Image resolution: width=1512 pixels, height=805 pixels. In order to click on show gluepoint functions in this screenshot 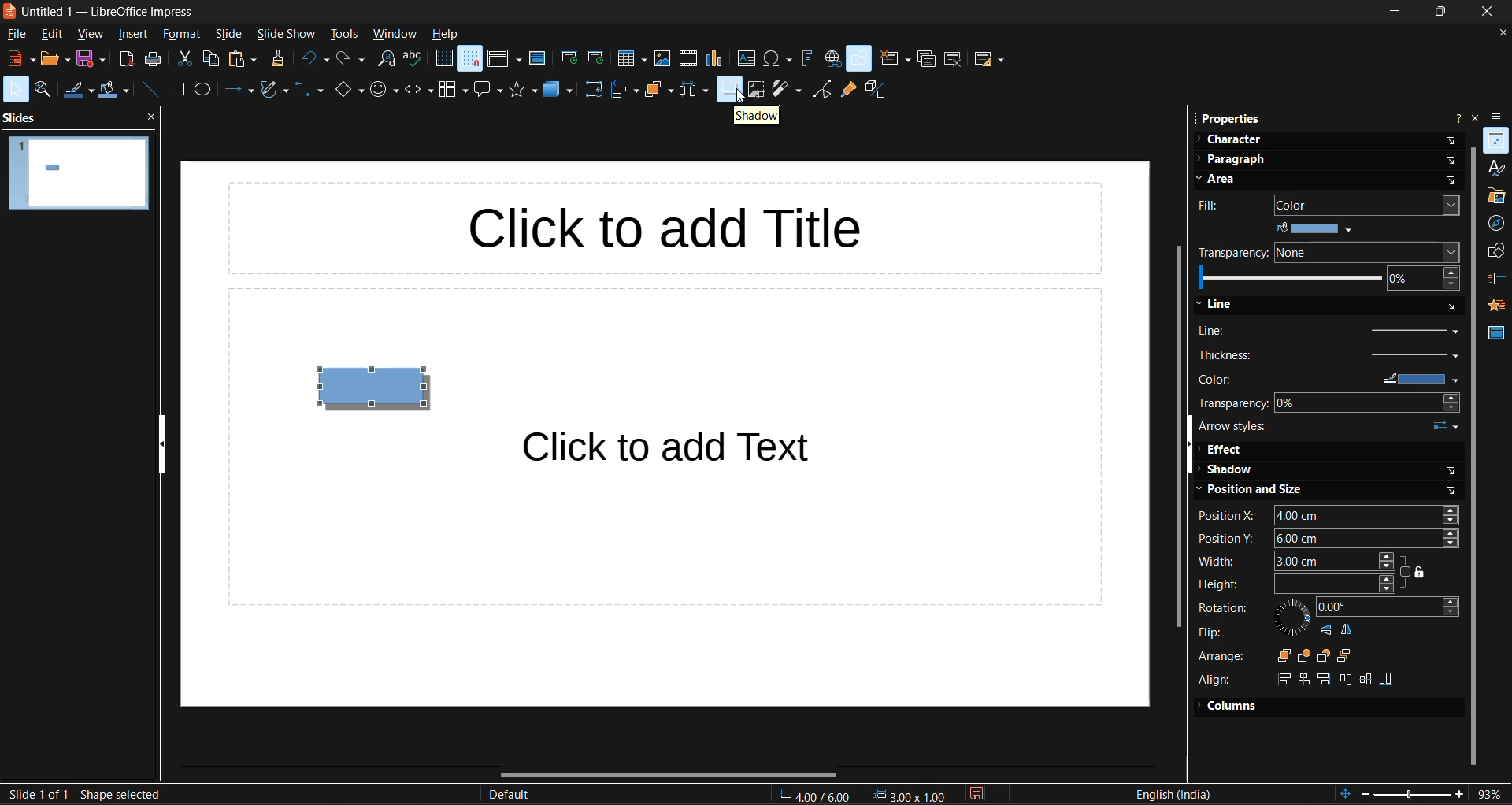, I will do `click(845, 90)`.